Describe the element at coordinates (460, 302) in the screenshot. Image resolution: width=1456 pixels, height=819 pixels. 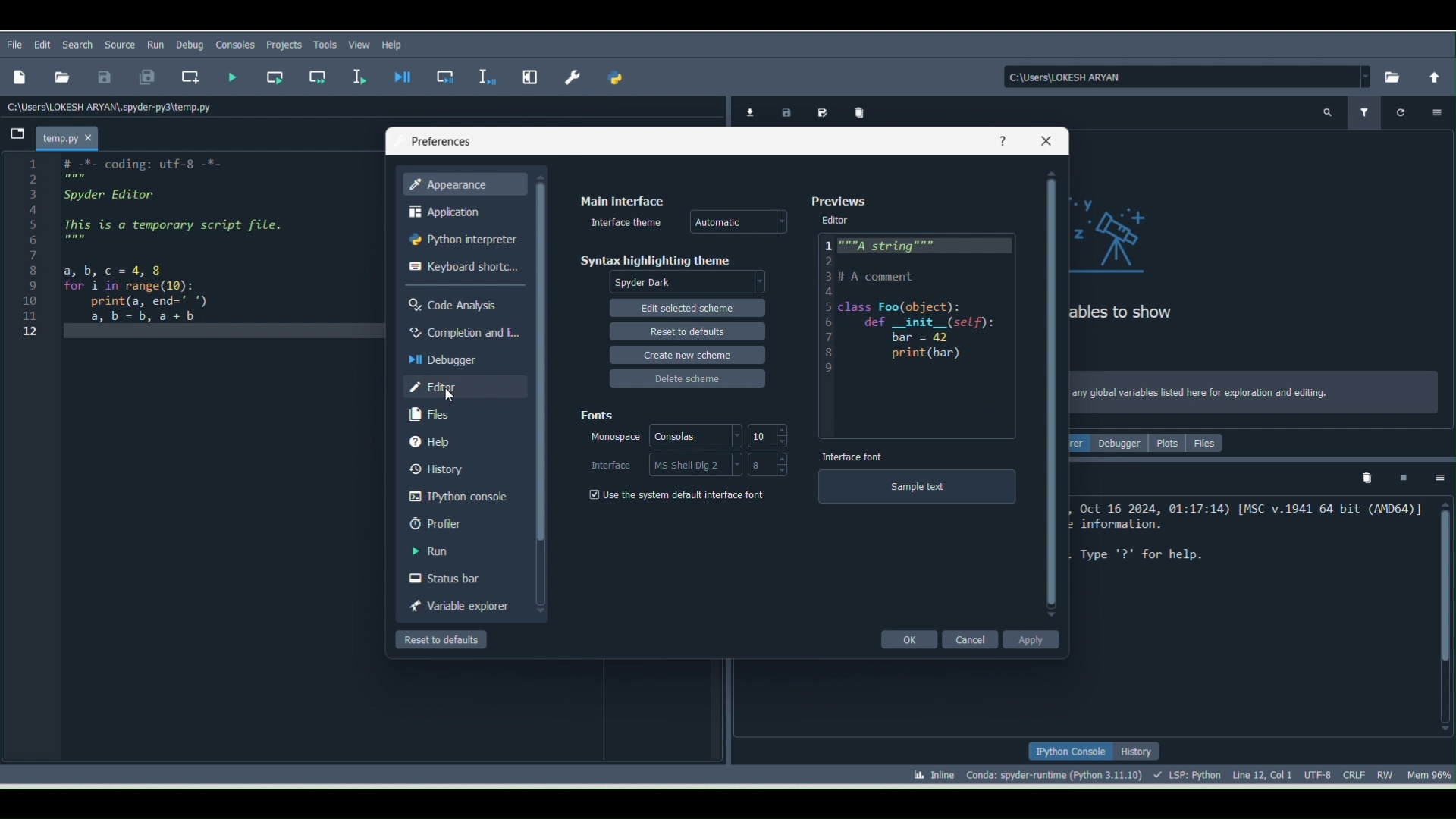
I see `Code Analysis` at that location.